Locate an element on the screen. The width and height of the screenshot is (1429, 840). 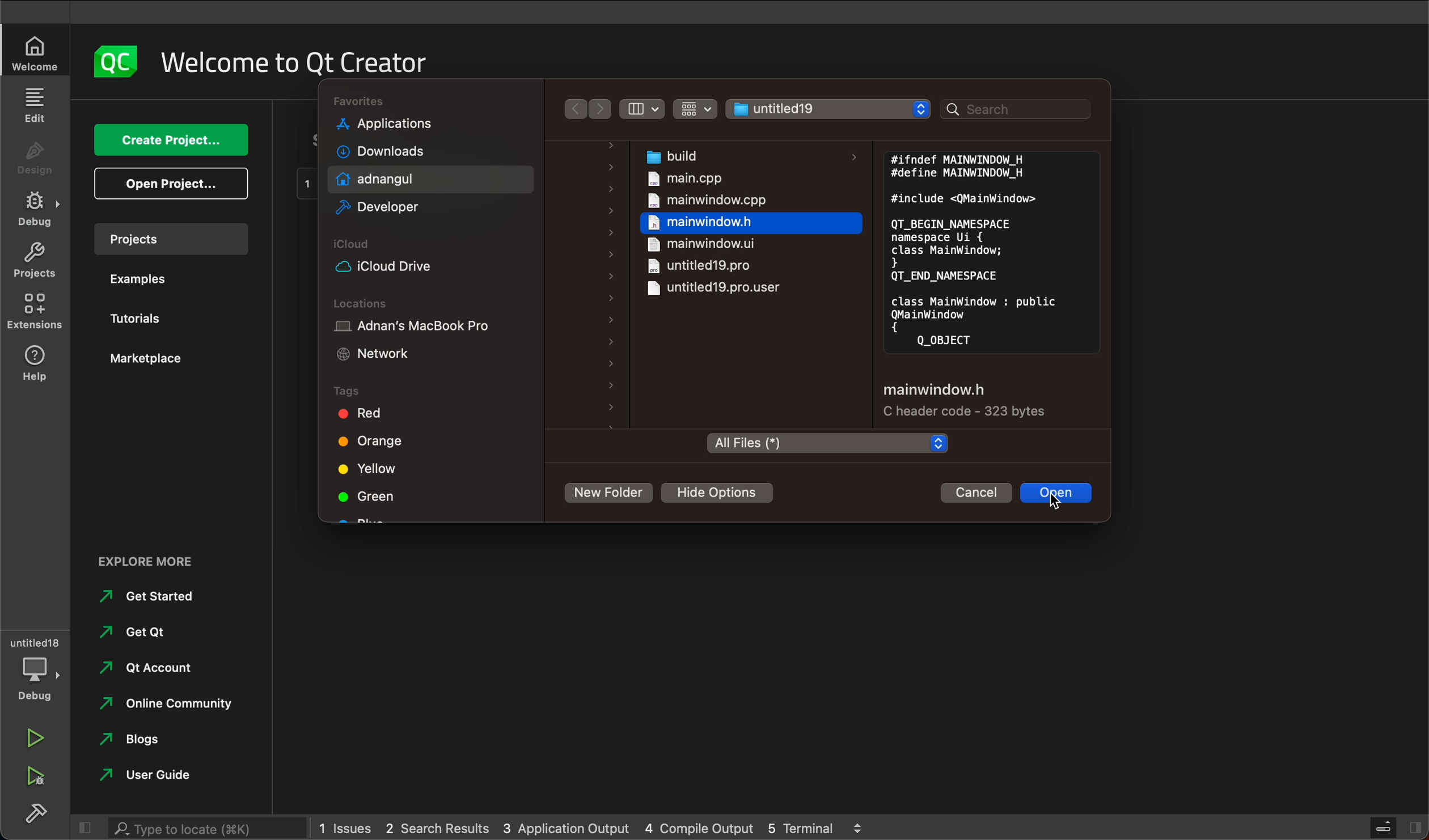
main window.cpp is located at coordinates (719, 202).